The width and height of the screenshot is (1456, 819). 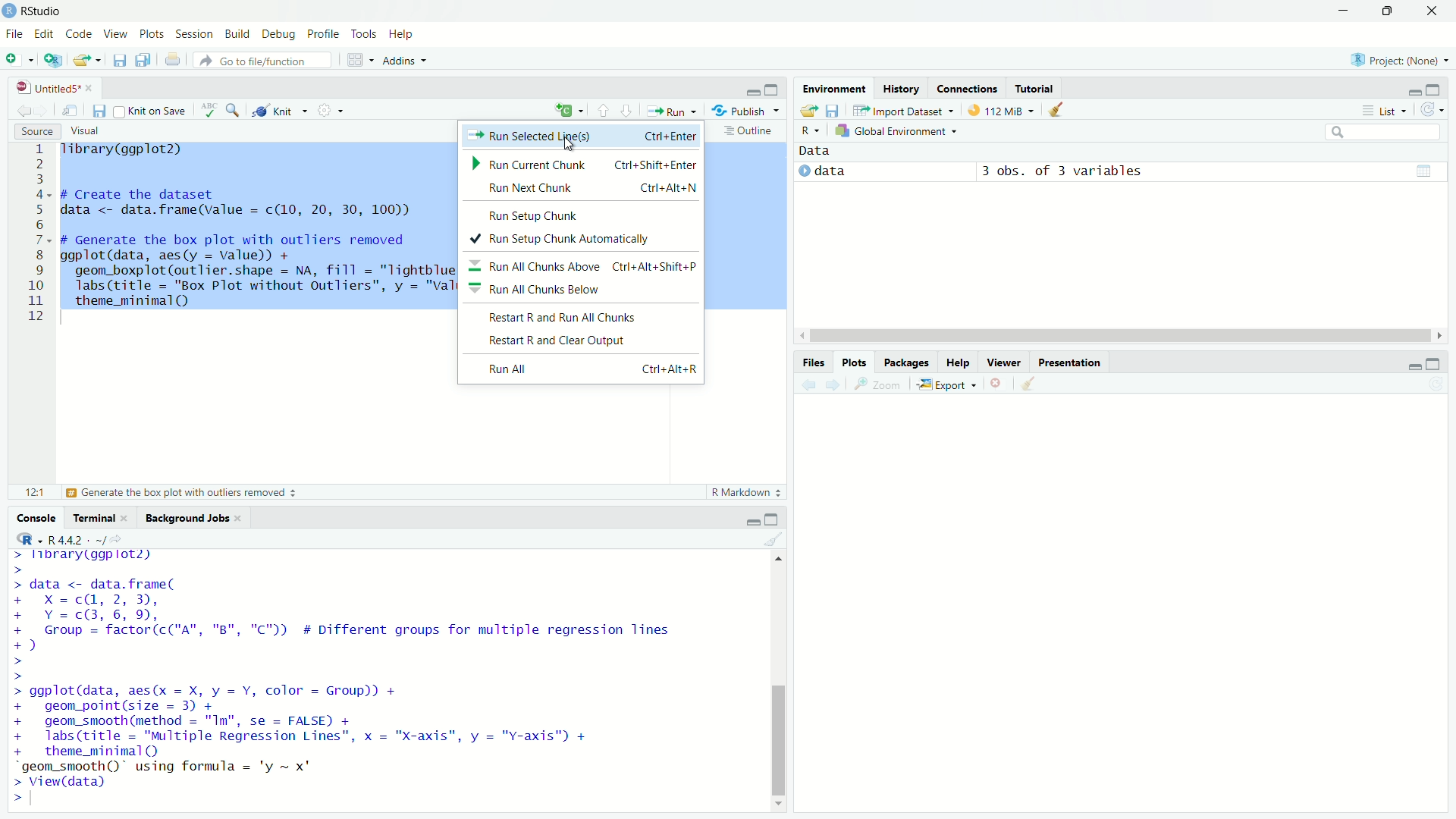 I want to click on R447 . ~/, so click(x=62, y=537).